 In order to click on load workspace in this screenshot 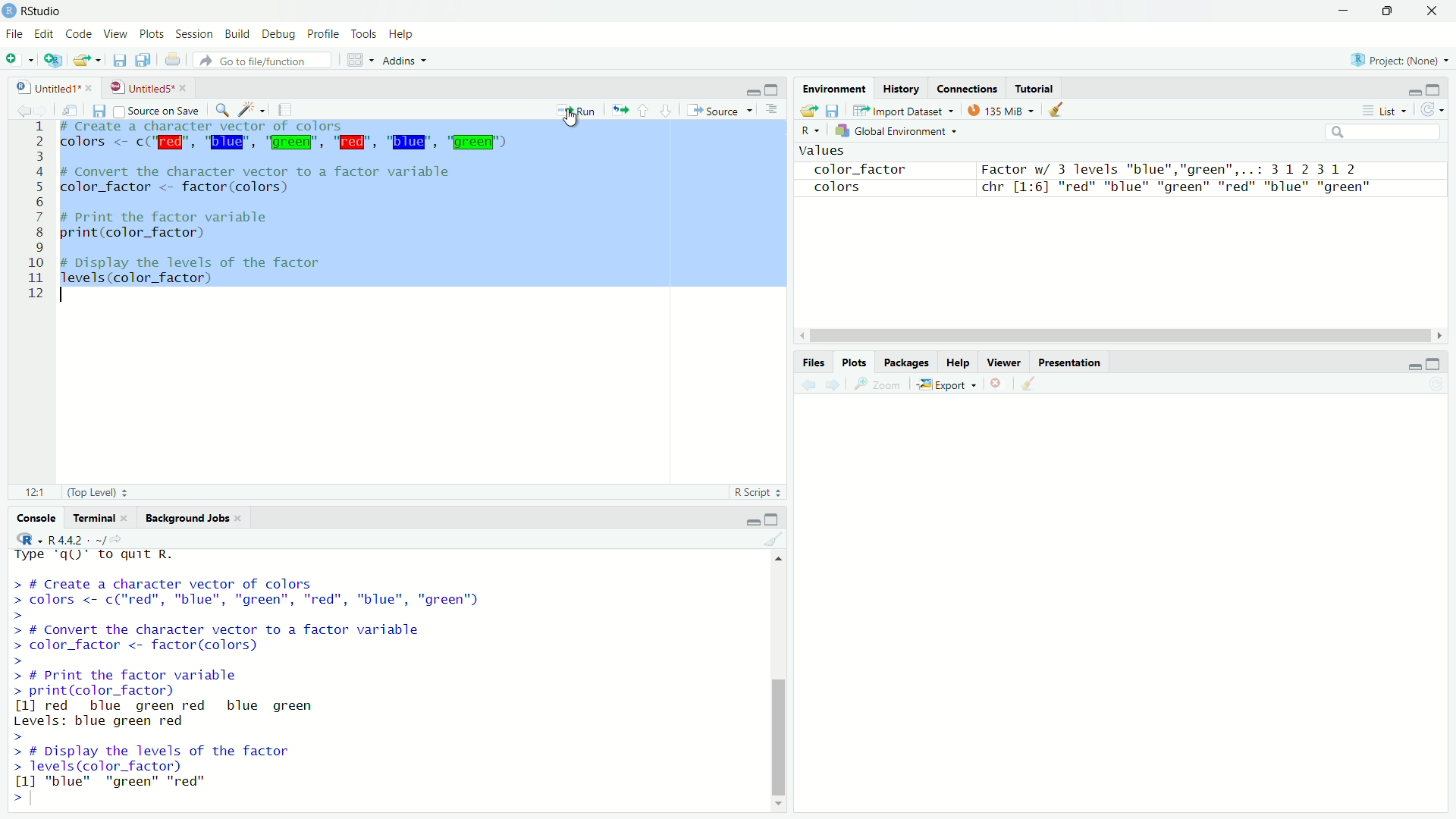, I will do `click(806, 110)`.